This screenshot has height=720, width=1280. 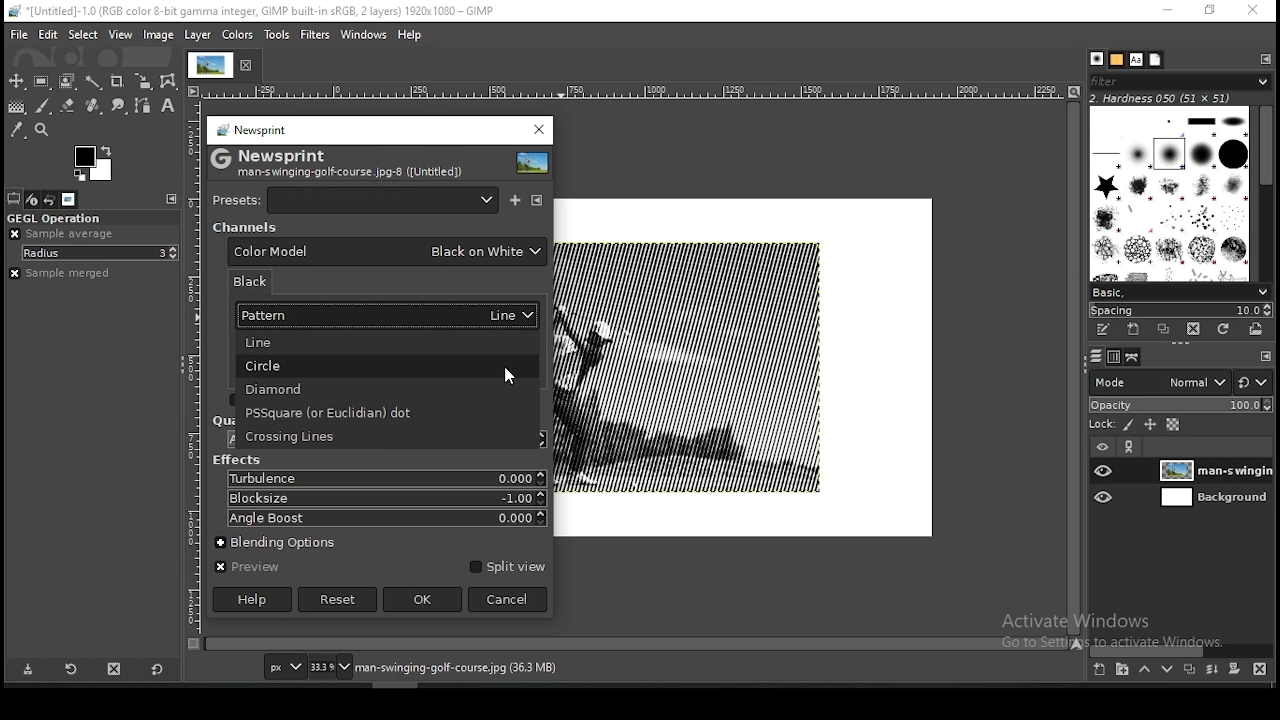 I want to click on configure this tab, so click(x=1263, y=58).